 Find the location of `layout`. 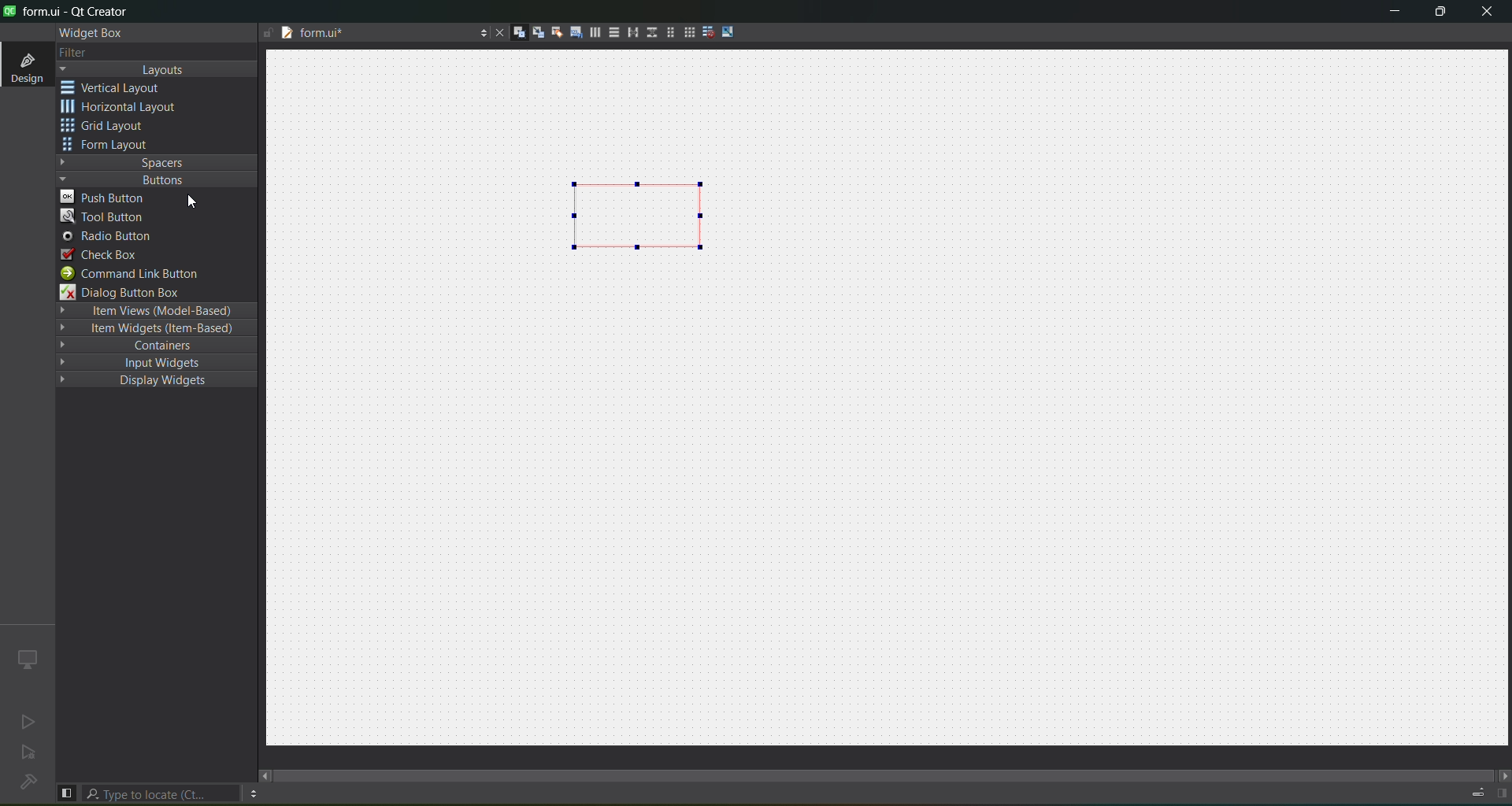

layout is located at coordinates (160, 70).